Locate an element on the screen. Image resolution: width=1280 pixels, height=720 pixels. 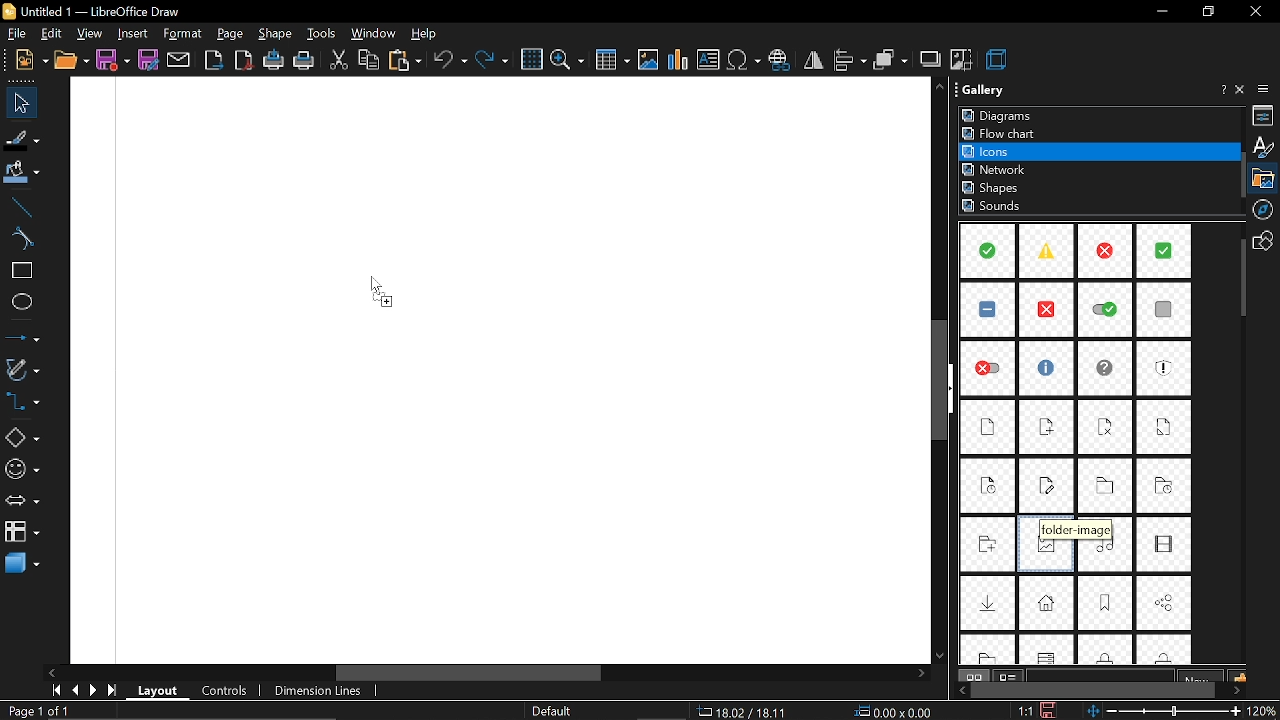
copy is located at coordinates (369, 62).